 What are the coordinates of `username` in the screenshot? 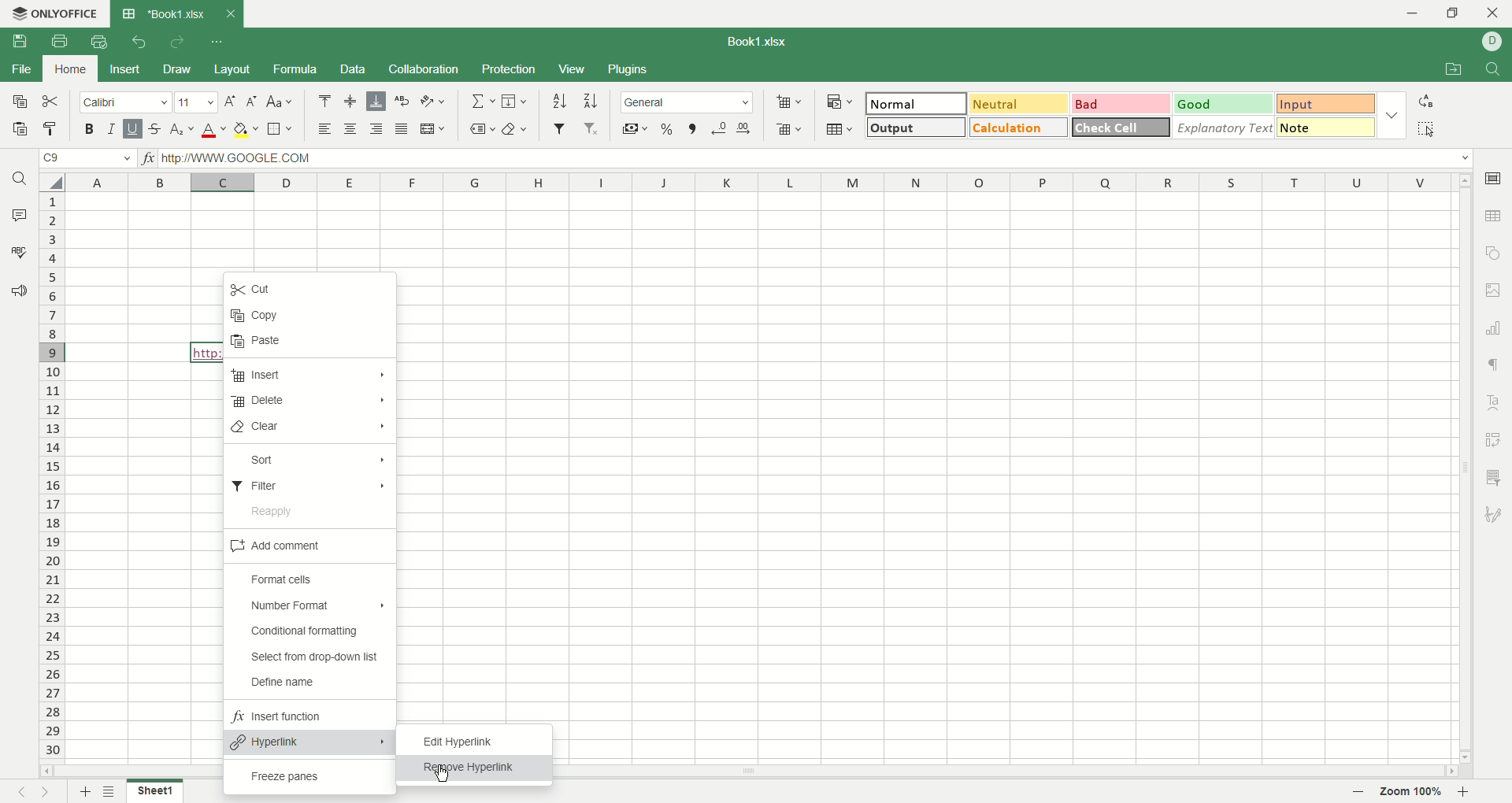 It's located at (1493, 41).